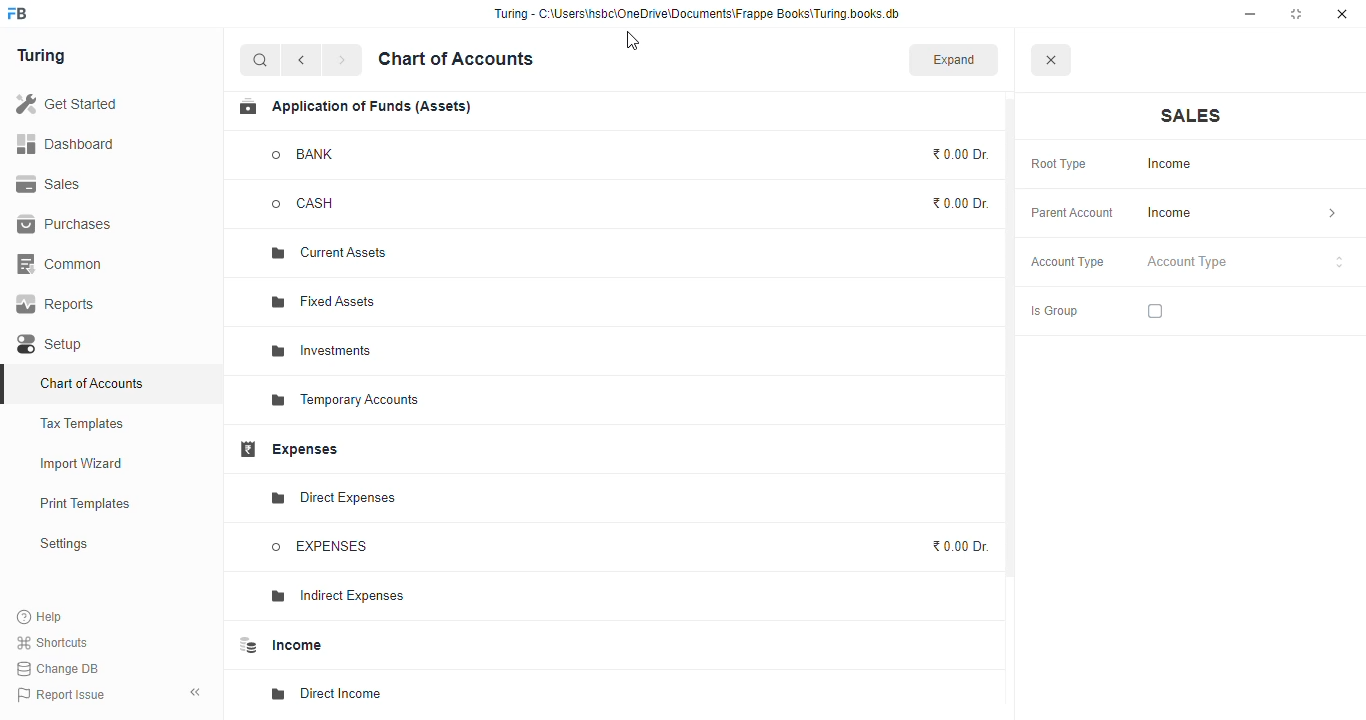 The width and height of the screenshot is (1366, 720). What do you see at coordinates (325, 301) in the screenshot?
I see `fixed assets` at bounding box center [325, 301].